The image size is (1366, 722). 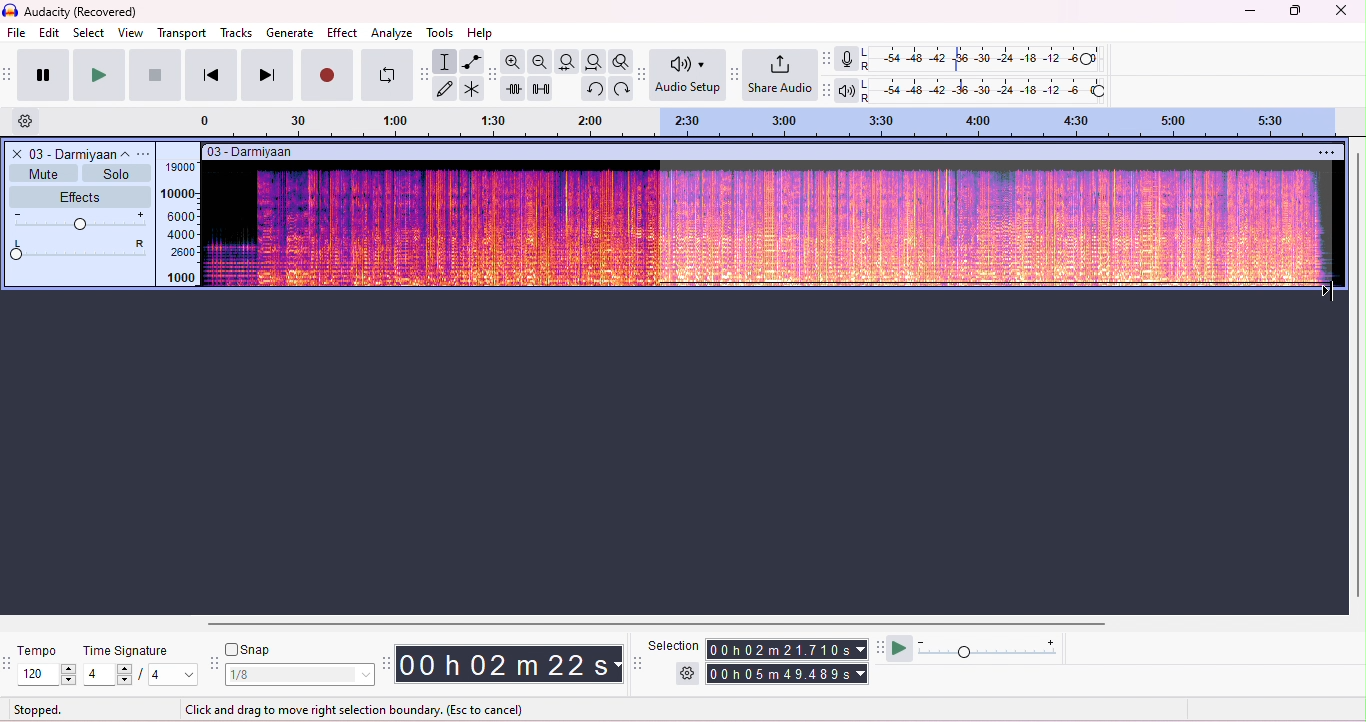 What do you see at coordinates (1247, 13) in the screenshot?
I see `minimize` at bounding box center [1247, 13].